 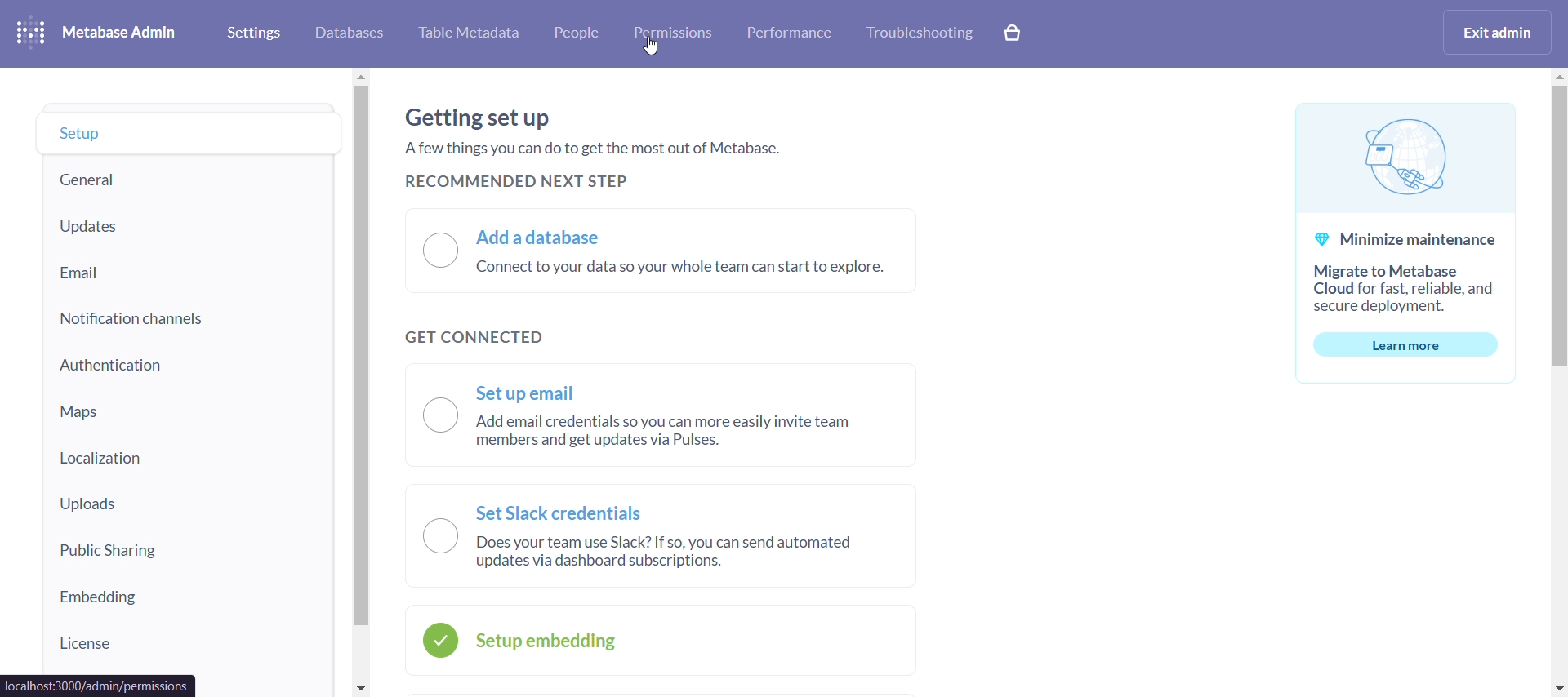 What do you see at coordinates (495, 117) in the screenshot?
I see `getting set up` at bounding box center [495, 117].